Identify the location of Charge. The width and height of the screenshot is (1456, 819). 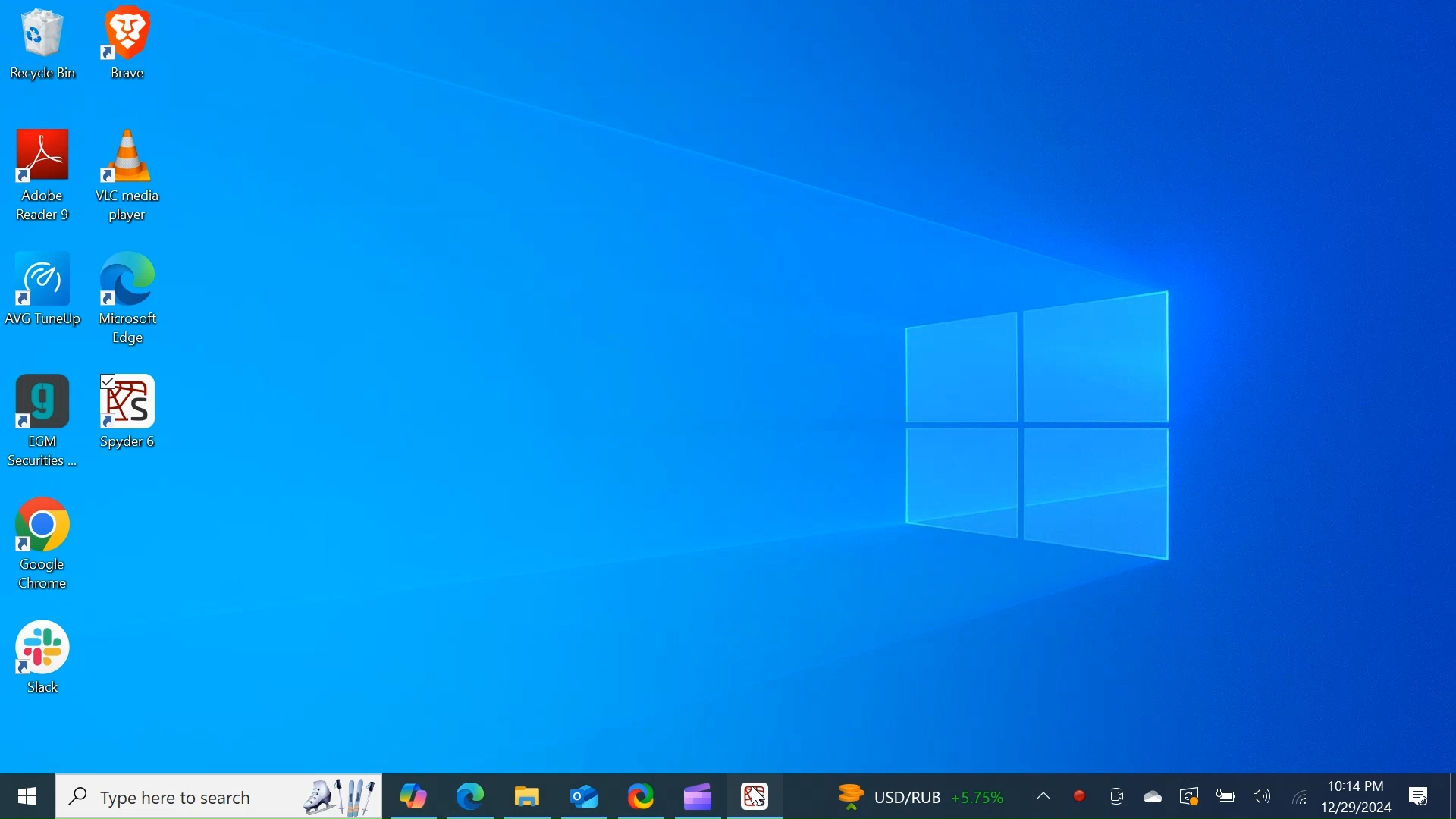
(1225, 795).